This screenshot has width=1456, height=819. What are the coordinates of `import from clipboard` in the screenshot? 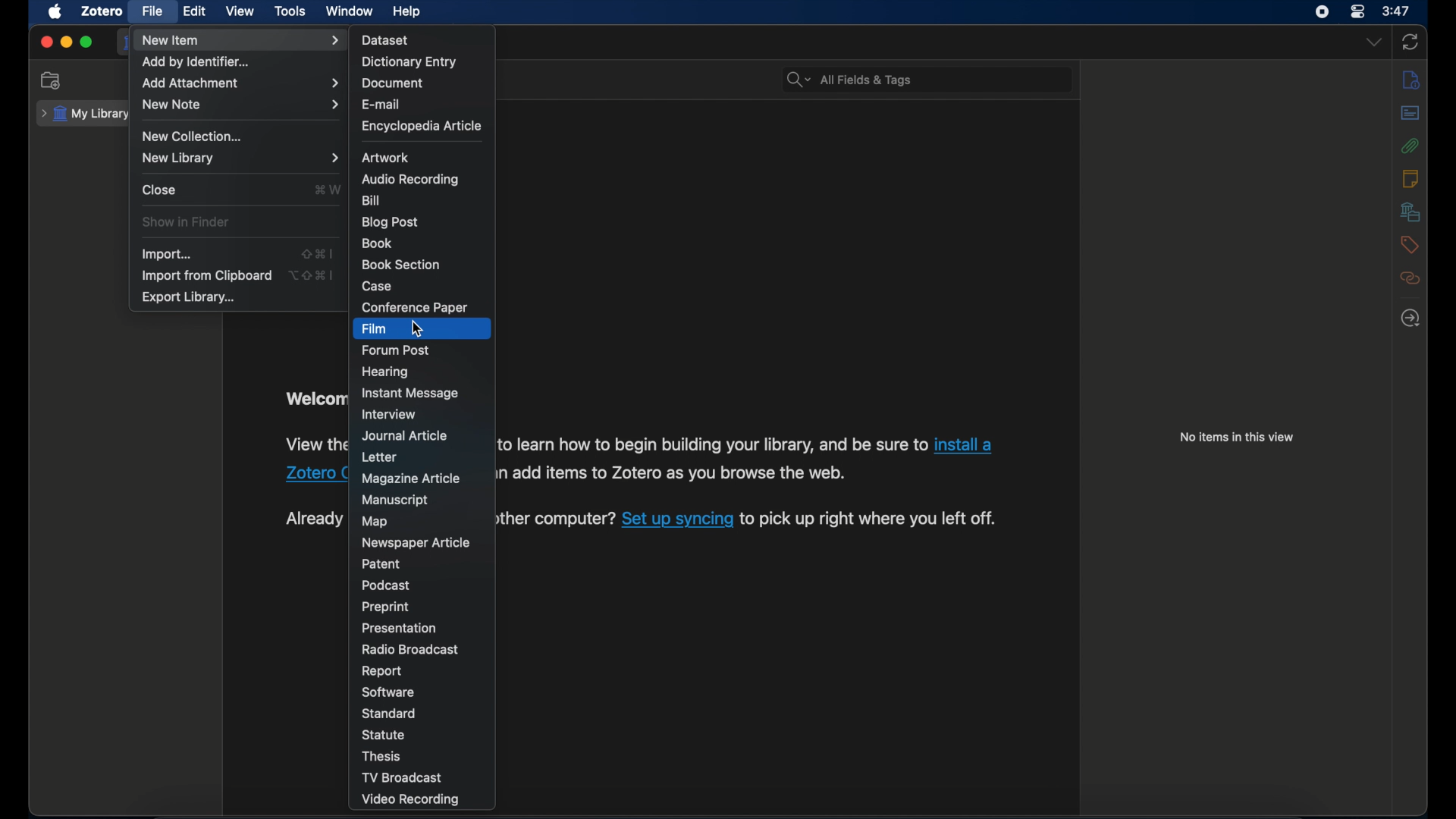 It's located at (206, 276).